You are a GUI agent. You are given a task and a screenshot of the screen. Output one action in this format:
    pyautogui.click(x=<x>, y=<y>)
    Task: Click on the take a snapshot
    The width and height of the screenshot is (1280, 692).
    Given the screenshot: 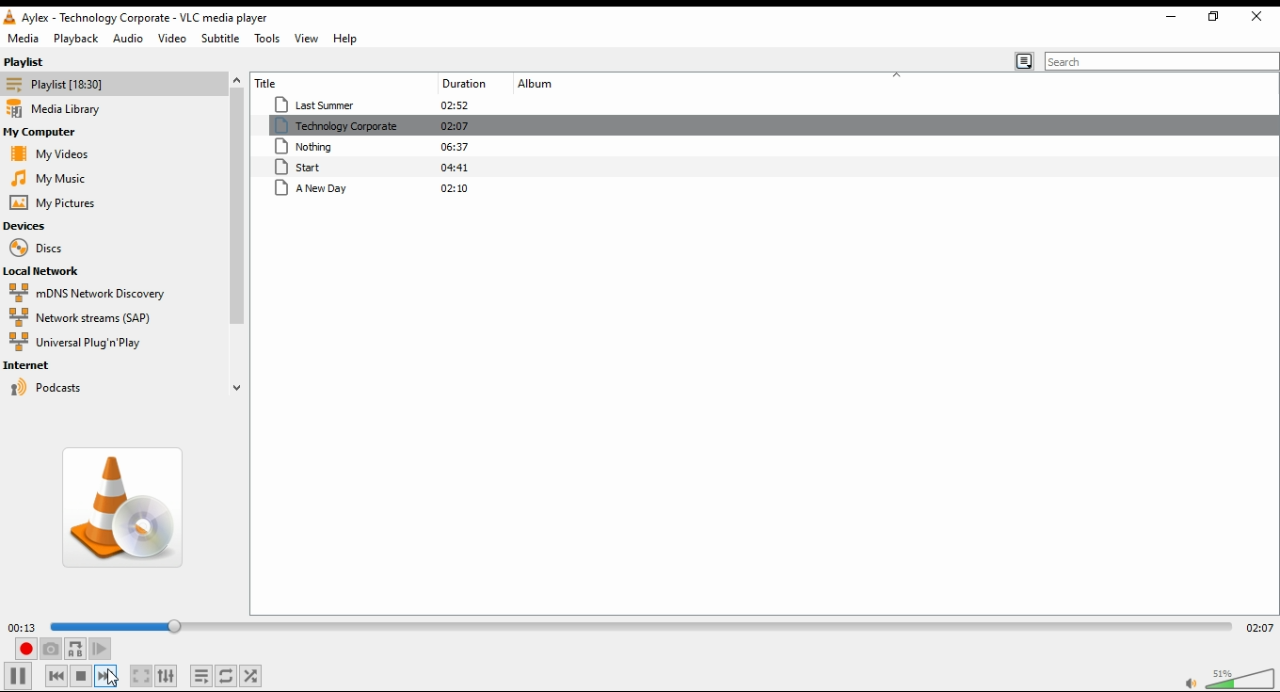 What is the action you would take?
    pyautogui.click(x=54, y=651)
    